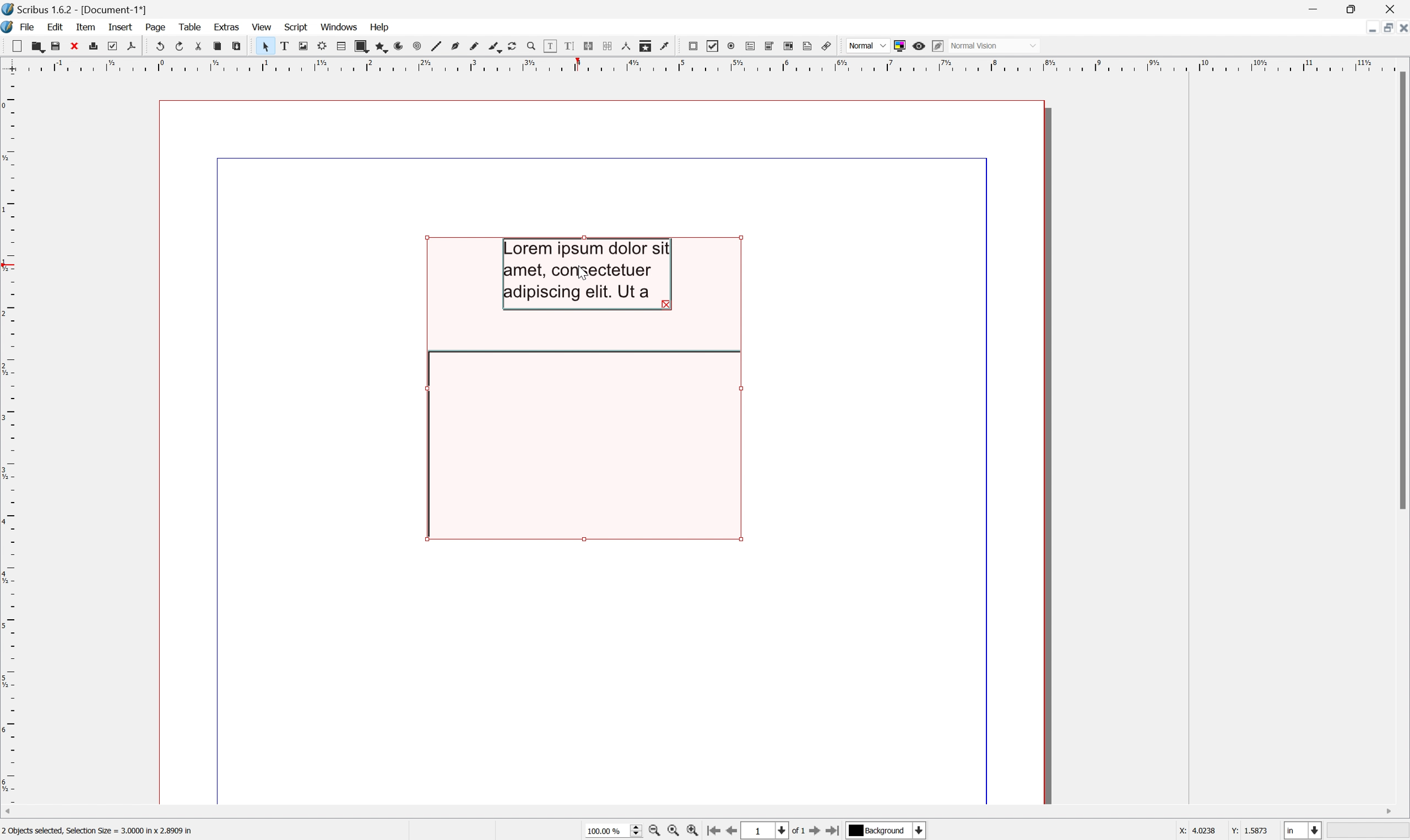 This screenshot has height=840, width=1410. Describe the element at coordinates (997, 46) in the screenshot. I see `Normal mode` at that location.